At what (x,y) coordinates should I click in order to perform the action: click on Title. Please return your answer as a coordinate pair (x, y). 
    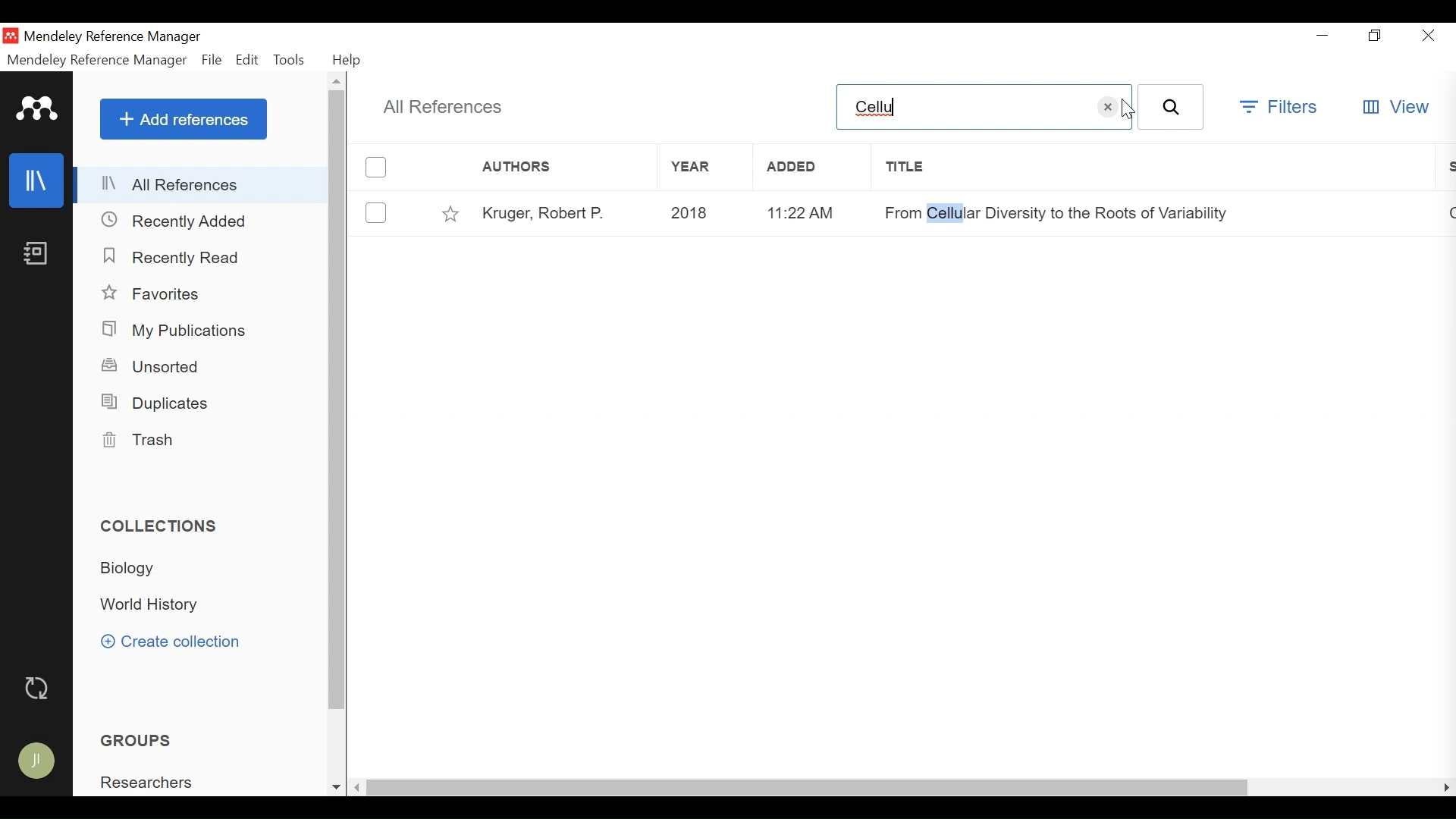
    Looking at the image, I should click on (1152, 168).